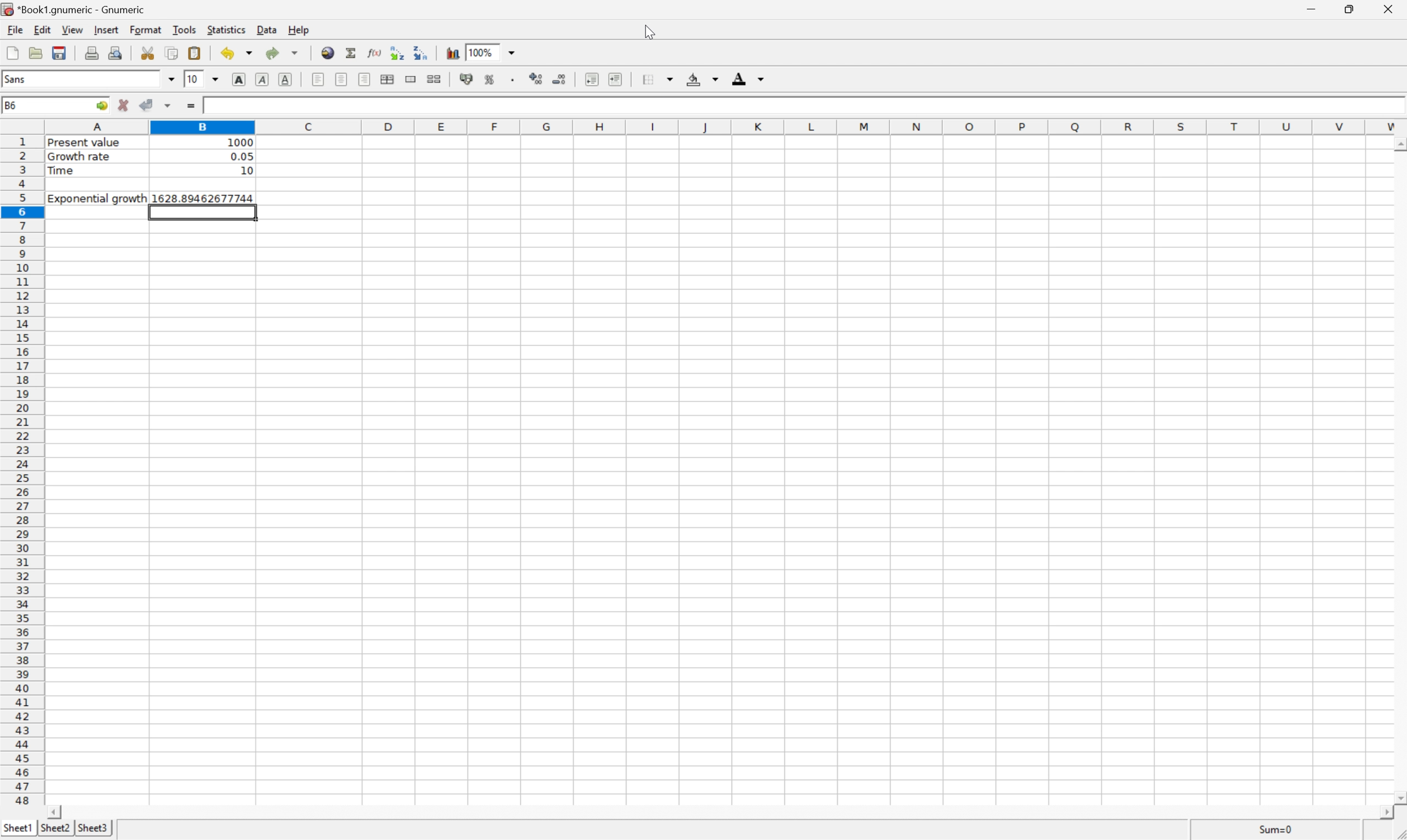  What do you see at coordinates (196, 52) in the screenshot?
I see `Paste the clipboard` at bounding box center [196, 52].